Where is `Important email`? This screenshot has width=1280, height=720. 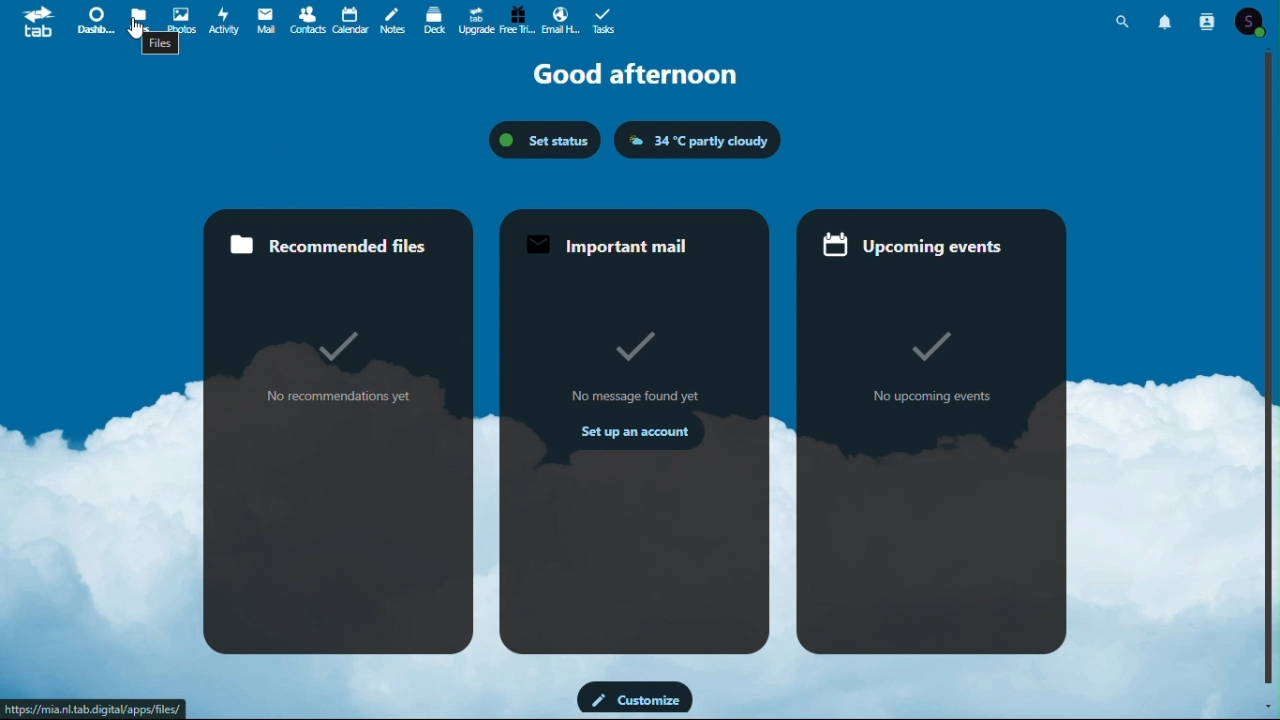
Important email is located at coordinates (638, 431).